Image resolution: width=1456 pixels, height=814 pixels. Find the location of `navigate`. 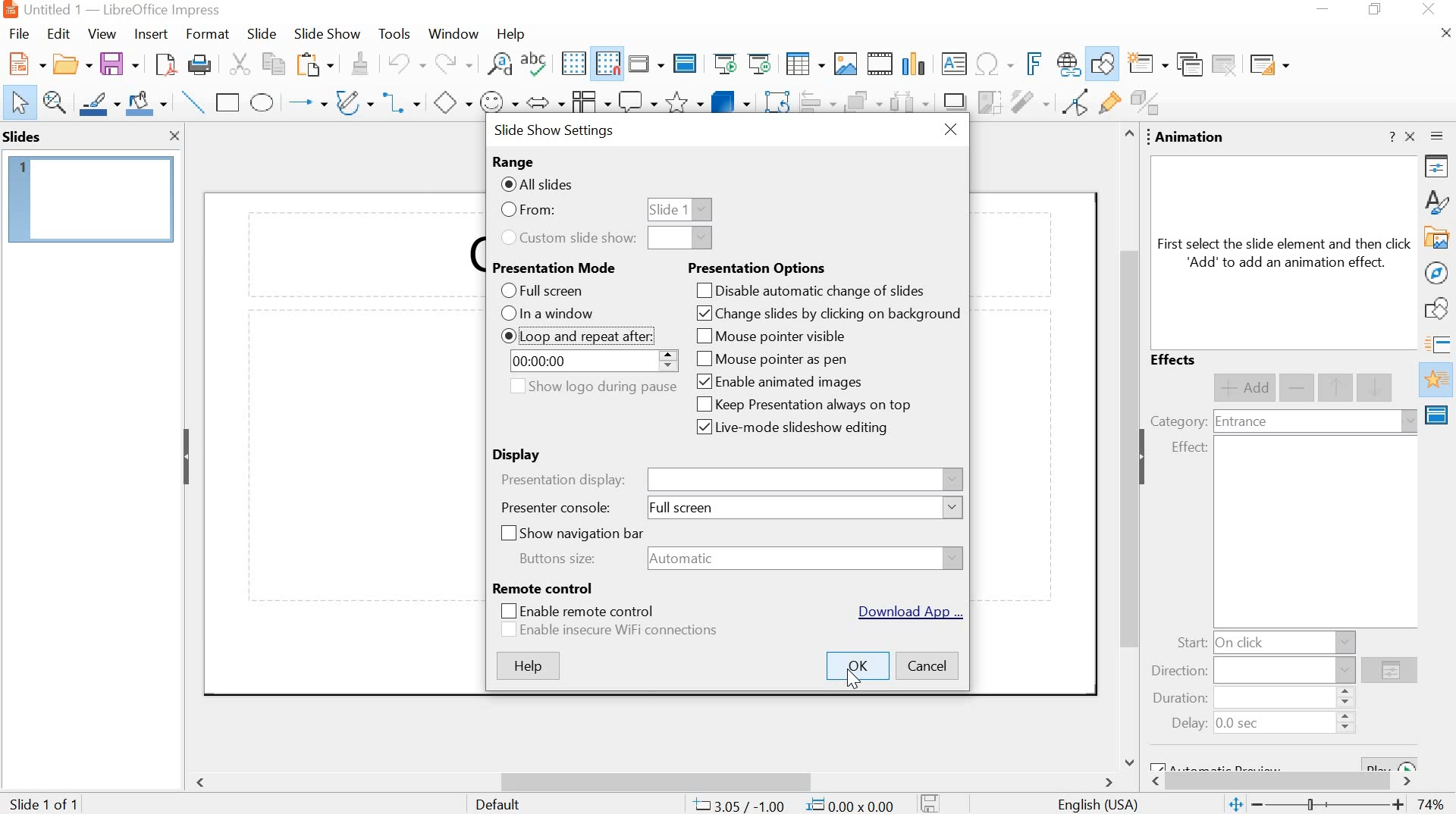

navigate is located at coordinates (1438, 273).